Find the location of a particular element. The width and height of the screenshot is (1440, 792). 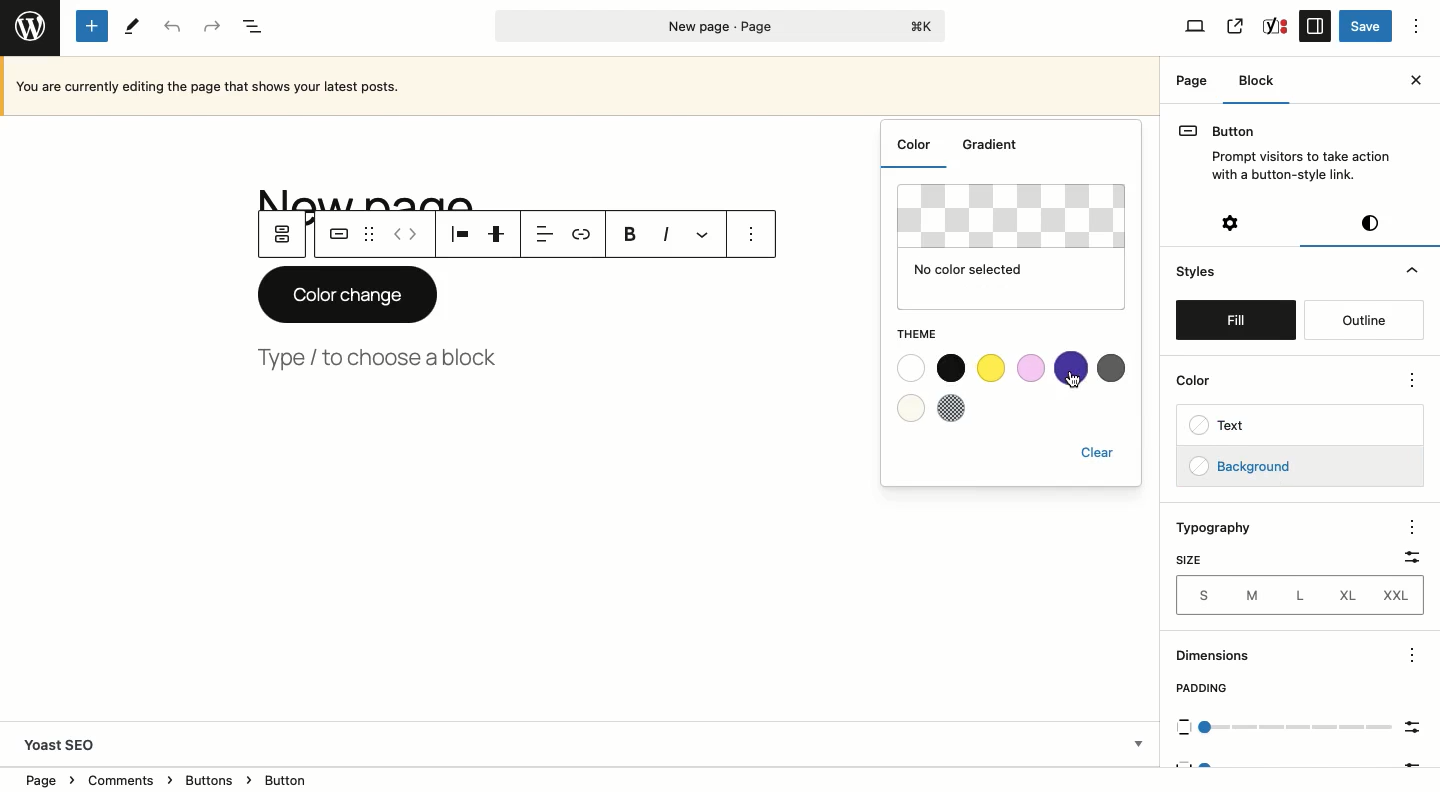

Align is located at coordinates (539, 235).